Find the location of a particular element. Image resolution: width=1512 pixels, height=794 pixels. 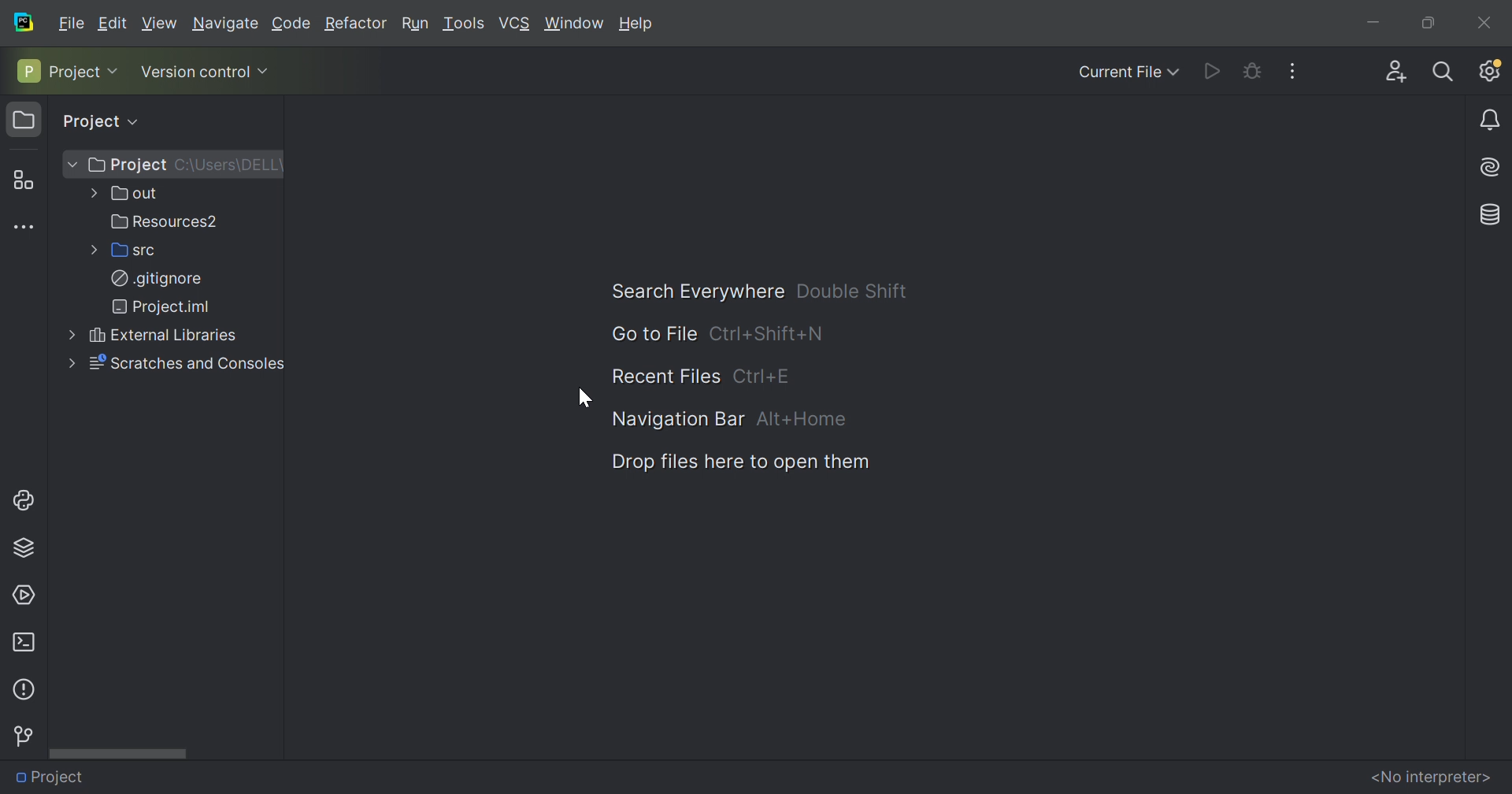

Version control is located at coordinates (194, 74).